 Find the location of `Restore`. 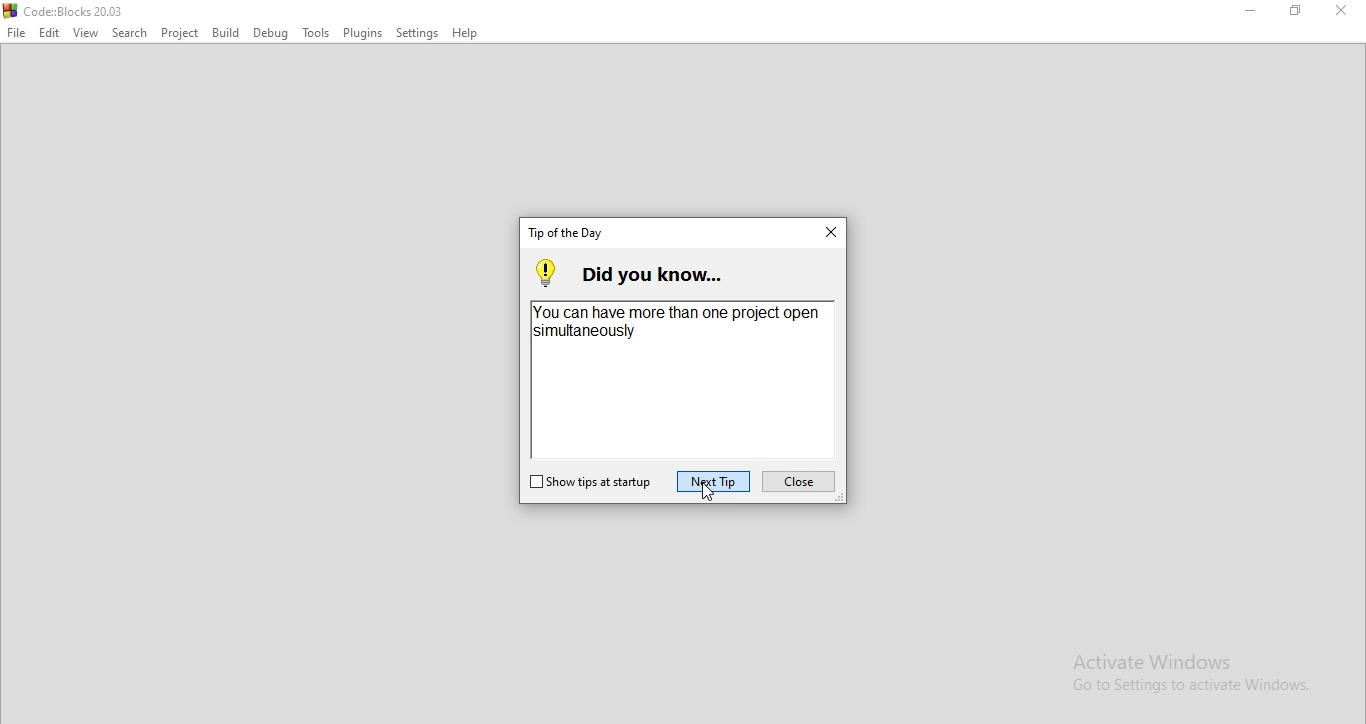

Restore is located at coordinates (1295, 11).